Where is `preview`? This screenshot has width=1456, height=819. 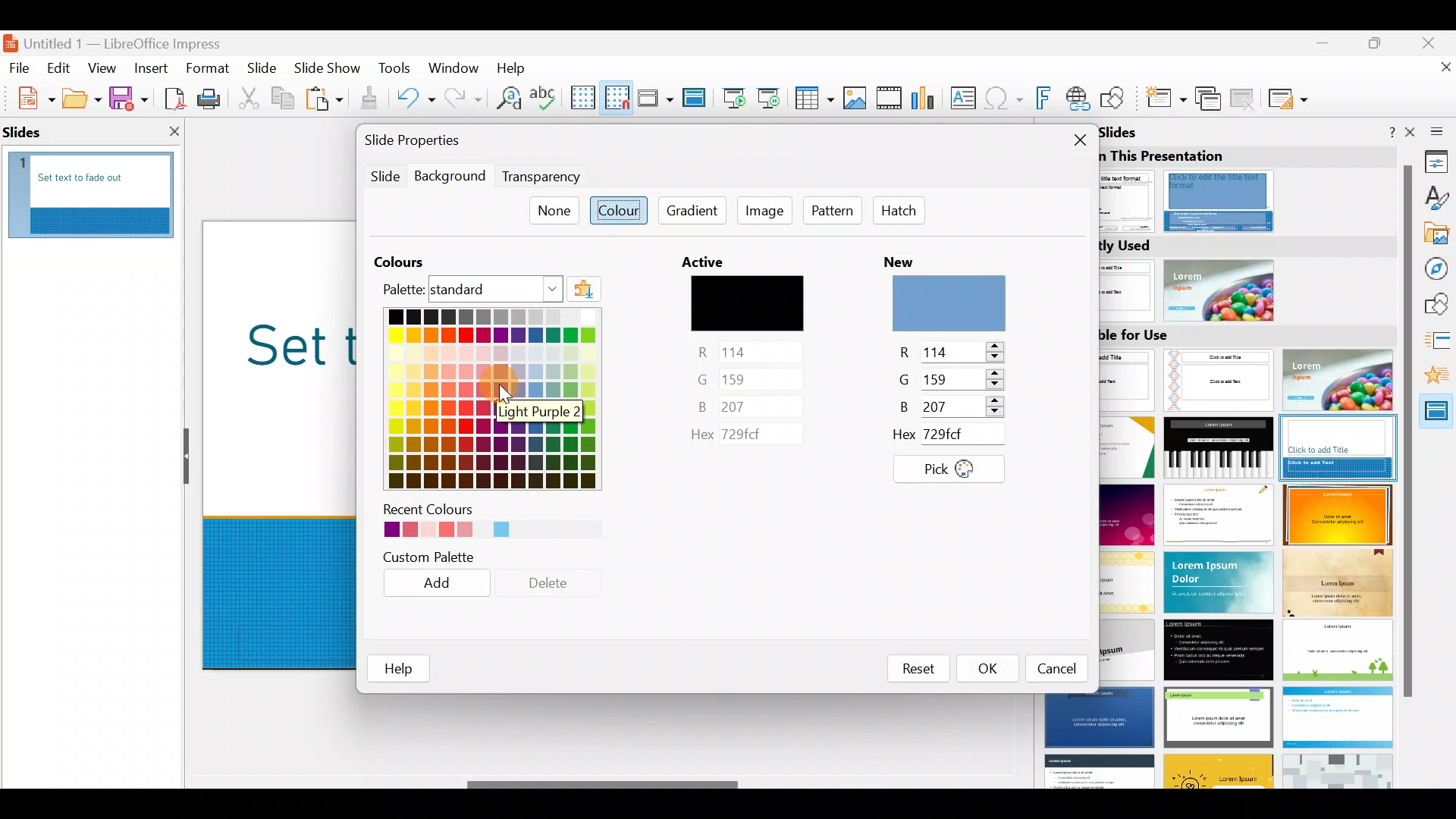 preview is located at coordinates (749, 303).